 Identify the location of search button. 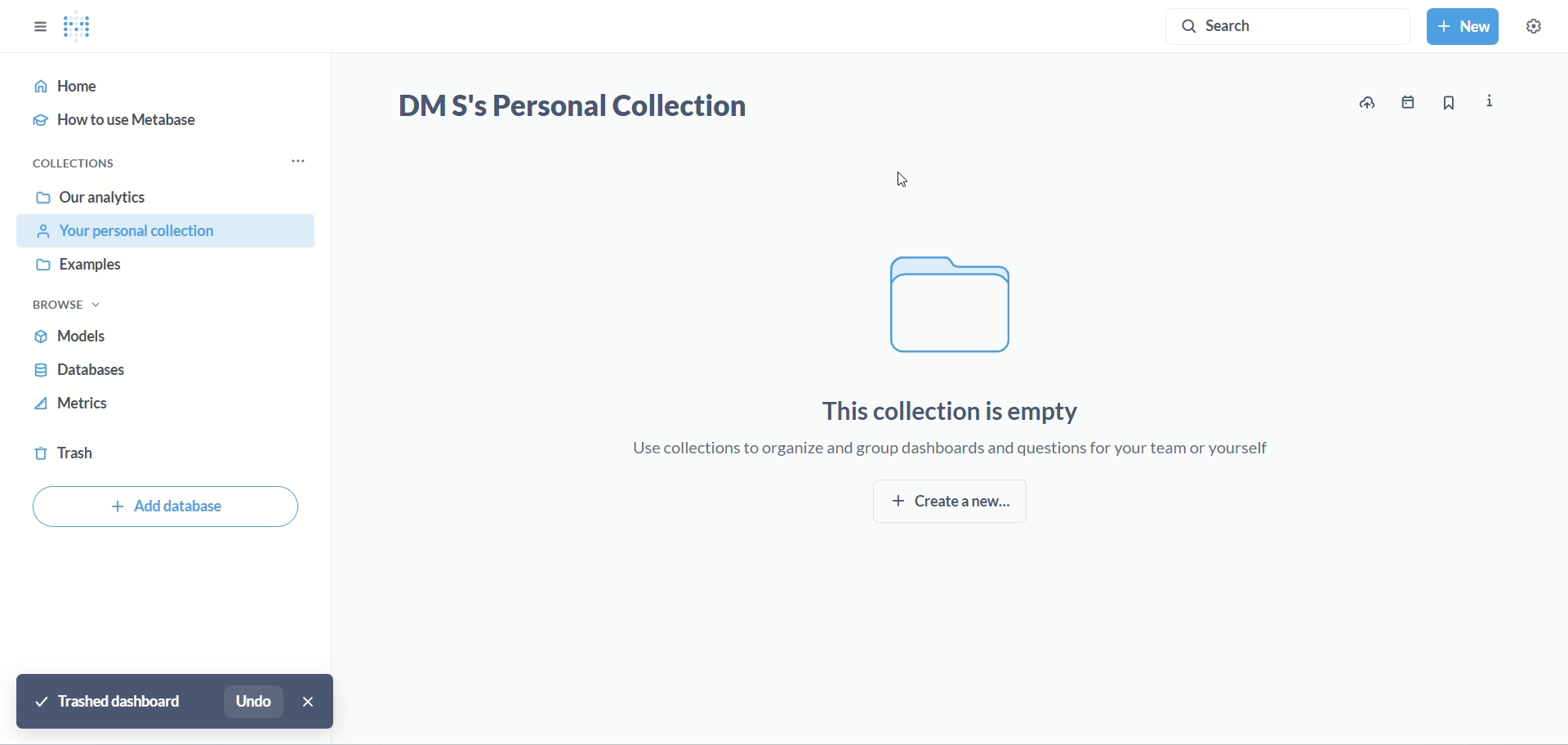
(1286, 30).